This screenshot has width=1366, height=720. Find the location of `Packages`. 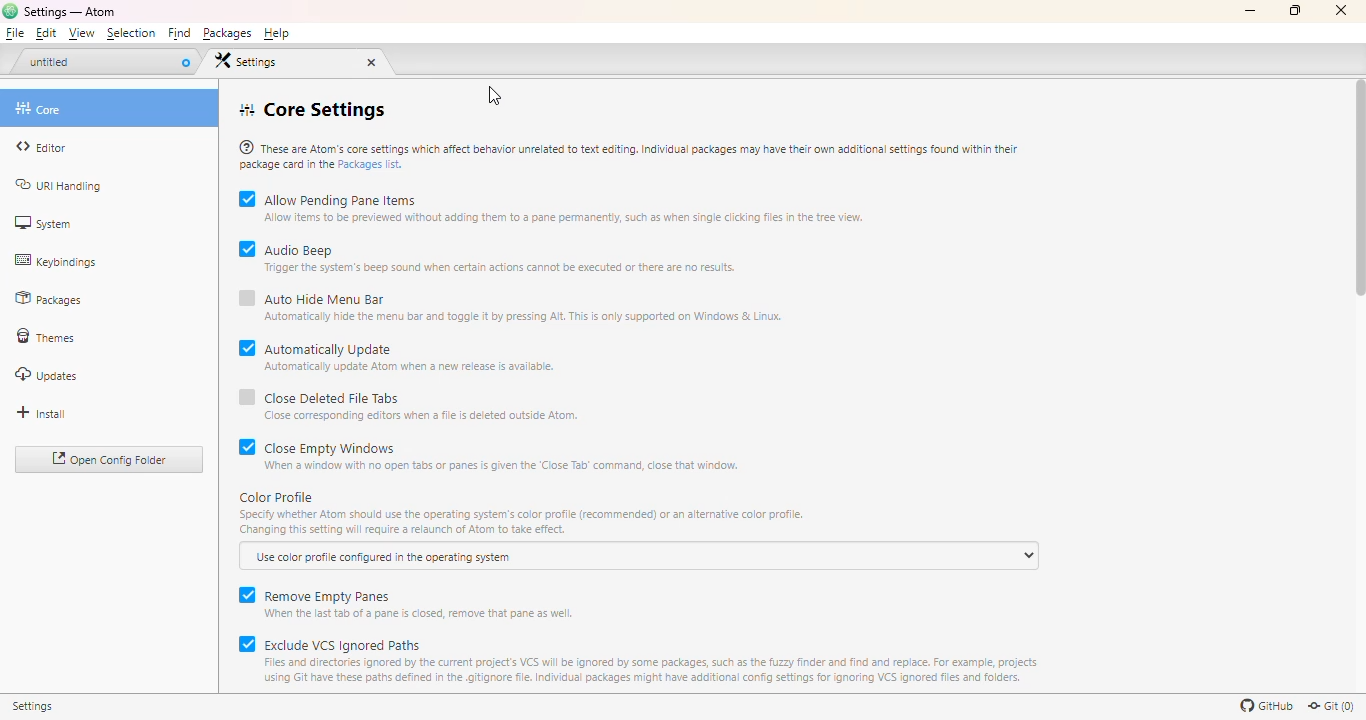

Packages is located at coordinates (227, 34).